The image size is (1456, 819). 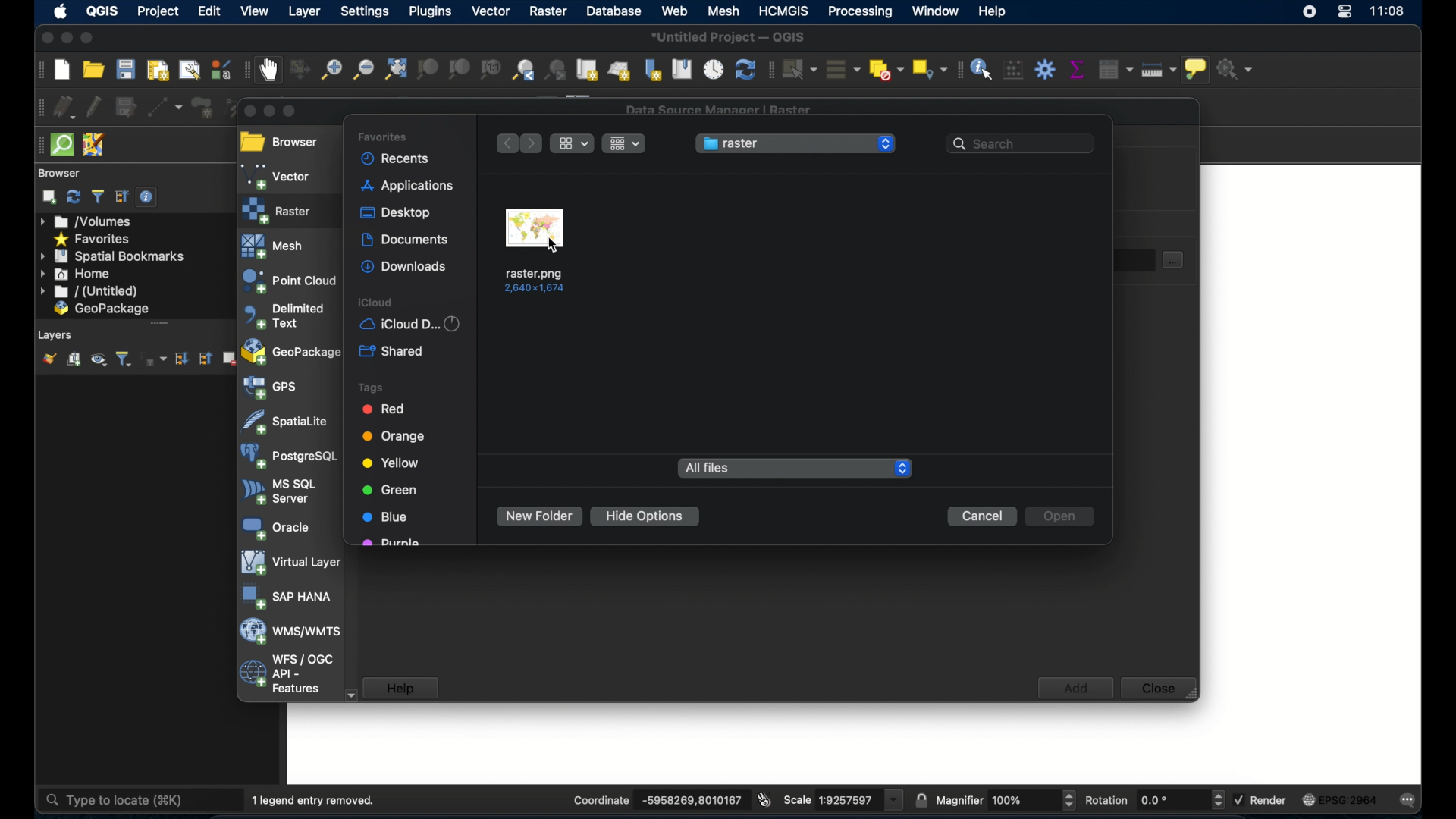 I want to click on downloads, so click(x=403, y=268).